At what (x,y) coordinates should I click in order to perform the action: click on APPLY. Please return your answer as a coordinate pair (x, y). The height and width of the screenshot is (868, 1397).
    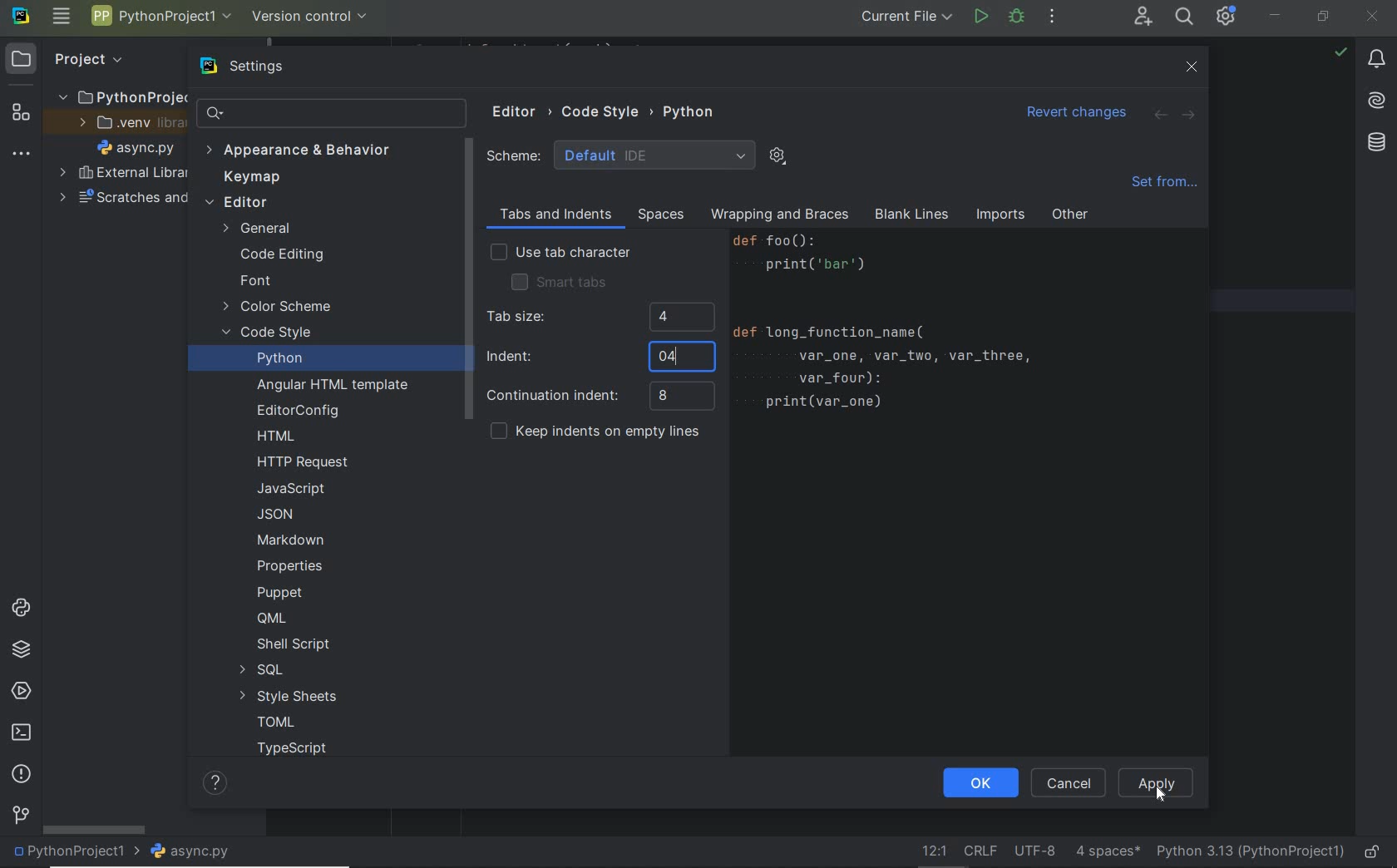
    Looking at the image, I should click on (1164, 782).